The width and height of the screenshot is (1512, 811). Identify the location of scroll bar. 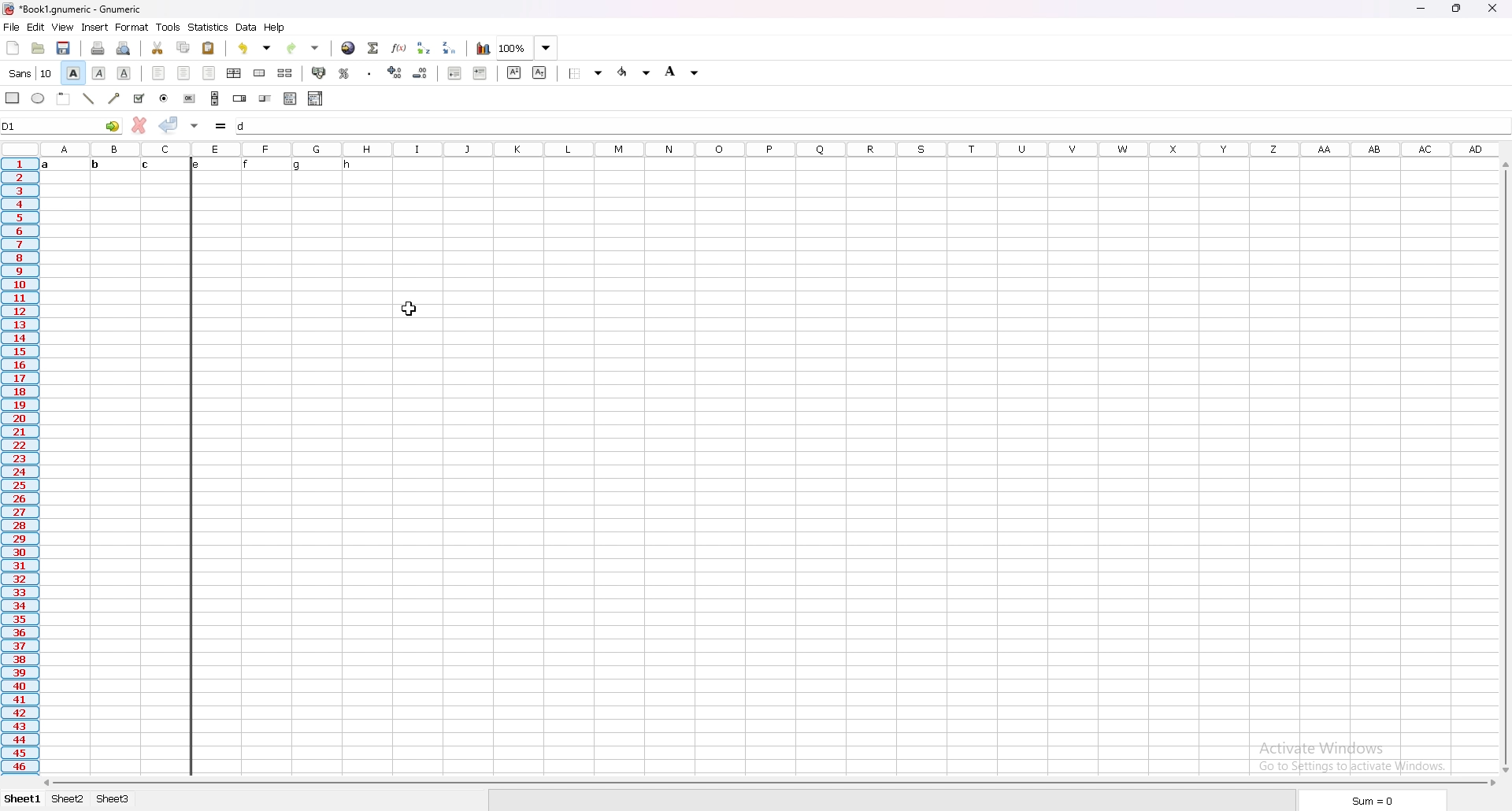
(768, 783).